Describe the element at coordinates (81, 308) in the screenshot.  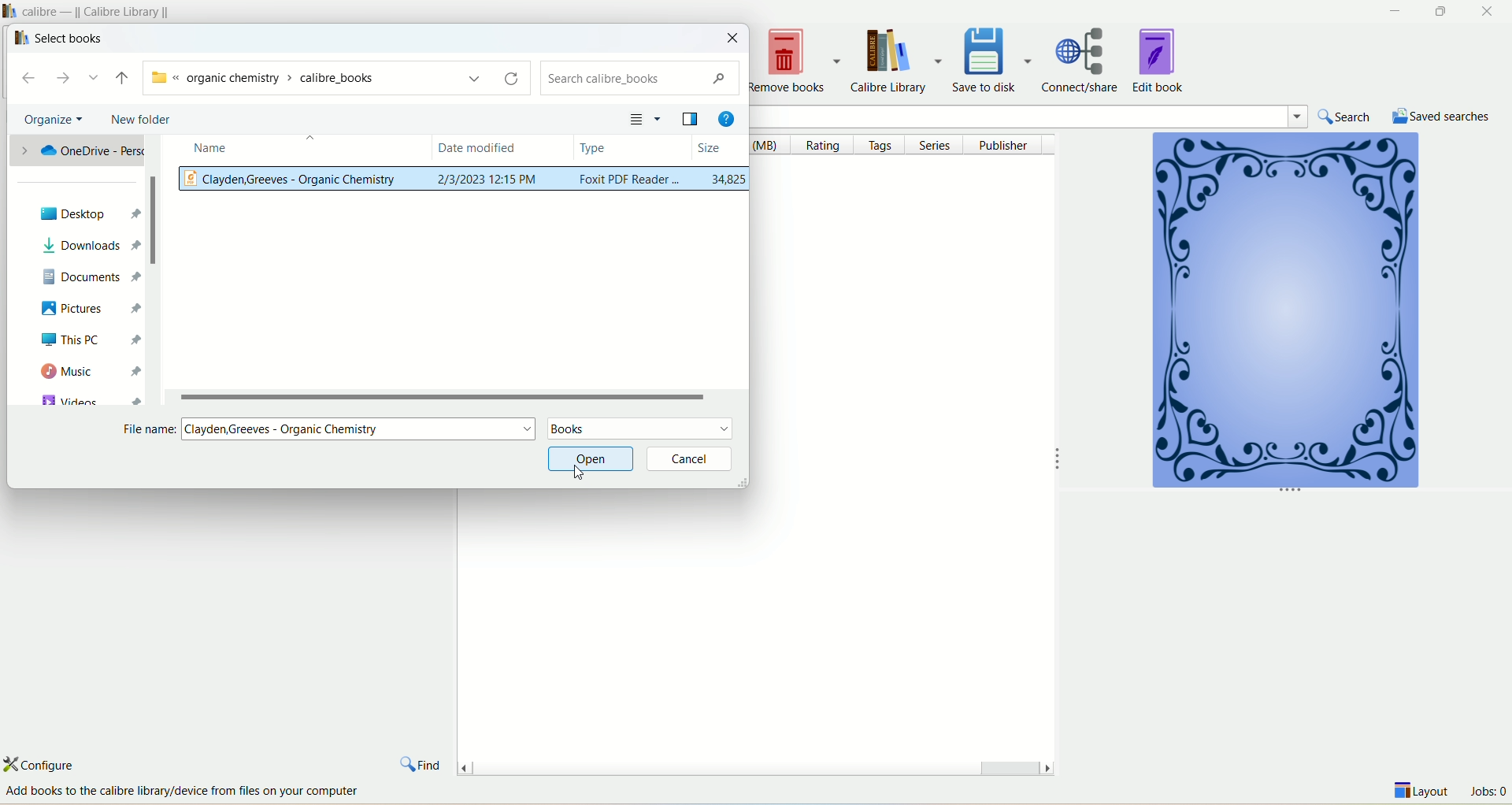
I see `pictures` at that location.